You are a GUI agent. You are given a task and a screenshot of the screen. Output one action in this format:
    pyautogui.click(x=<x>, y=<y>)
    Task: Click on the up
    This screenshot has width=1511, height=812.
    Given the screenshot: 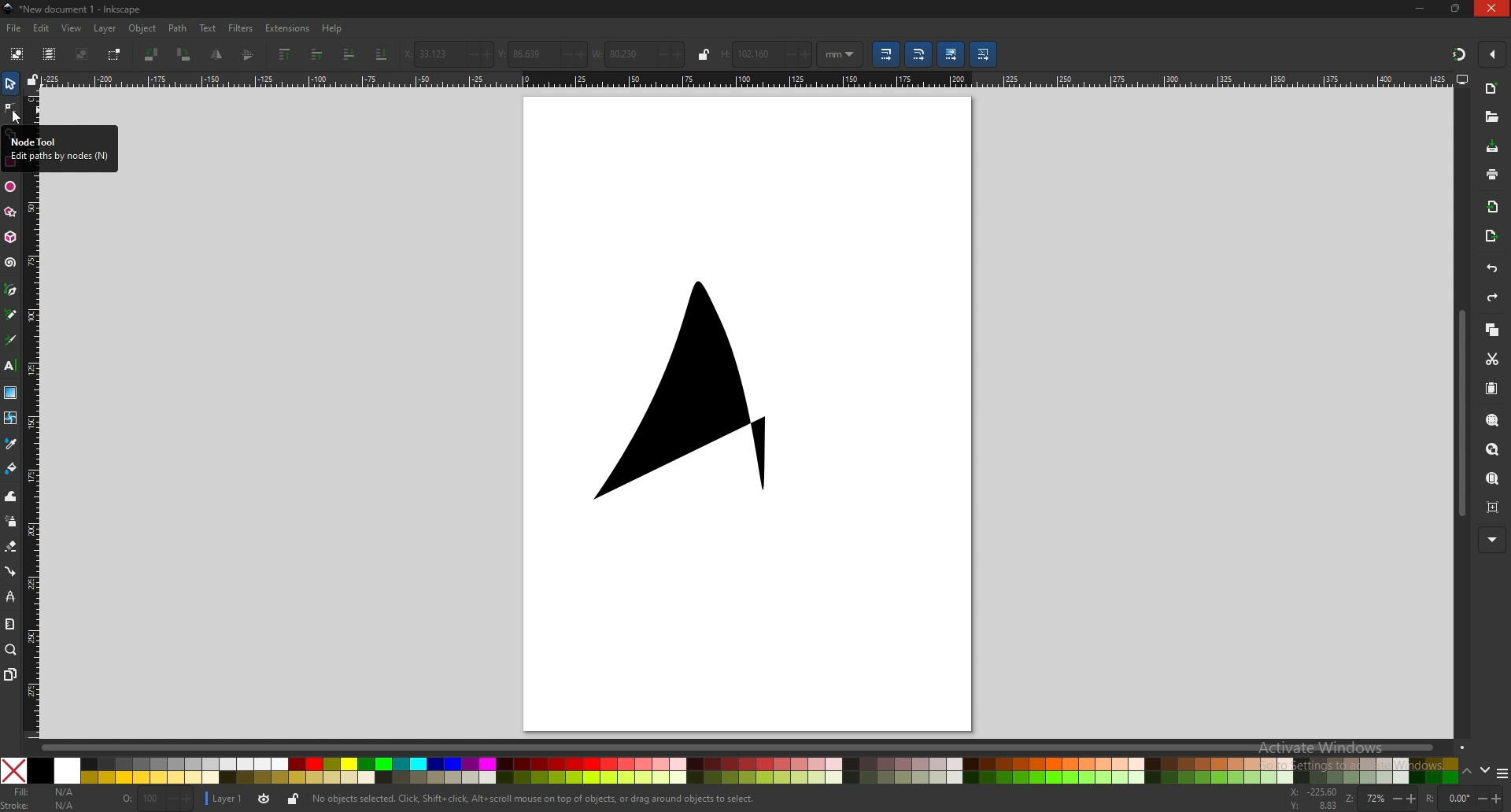 What is the action you would take?
    pyautogui.click(x=1467, y=772)
    